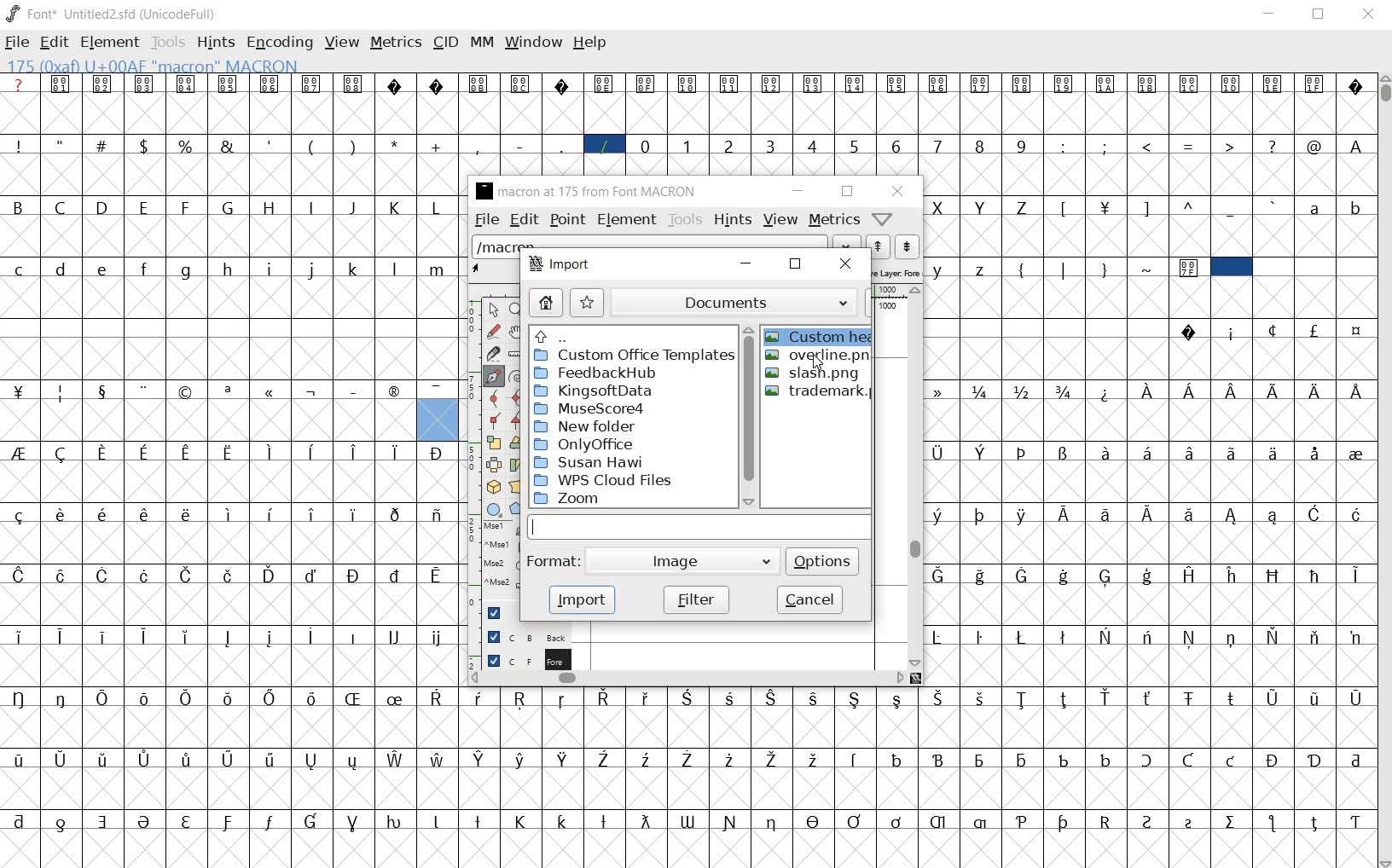  Describe the element at coordinates (274, 697) in the screenshot. I see `Symbol` at that location.